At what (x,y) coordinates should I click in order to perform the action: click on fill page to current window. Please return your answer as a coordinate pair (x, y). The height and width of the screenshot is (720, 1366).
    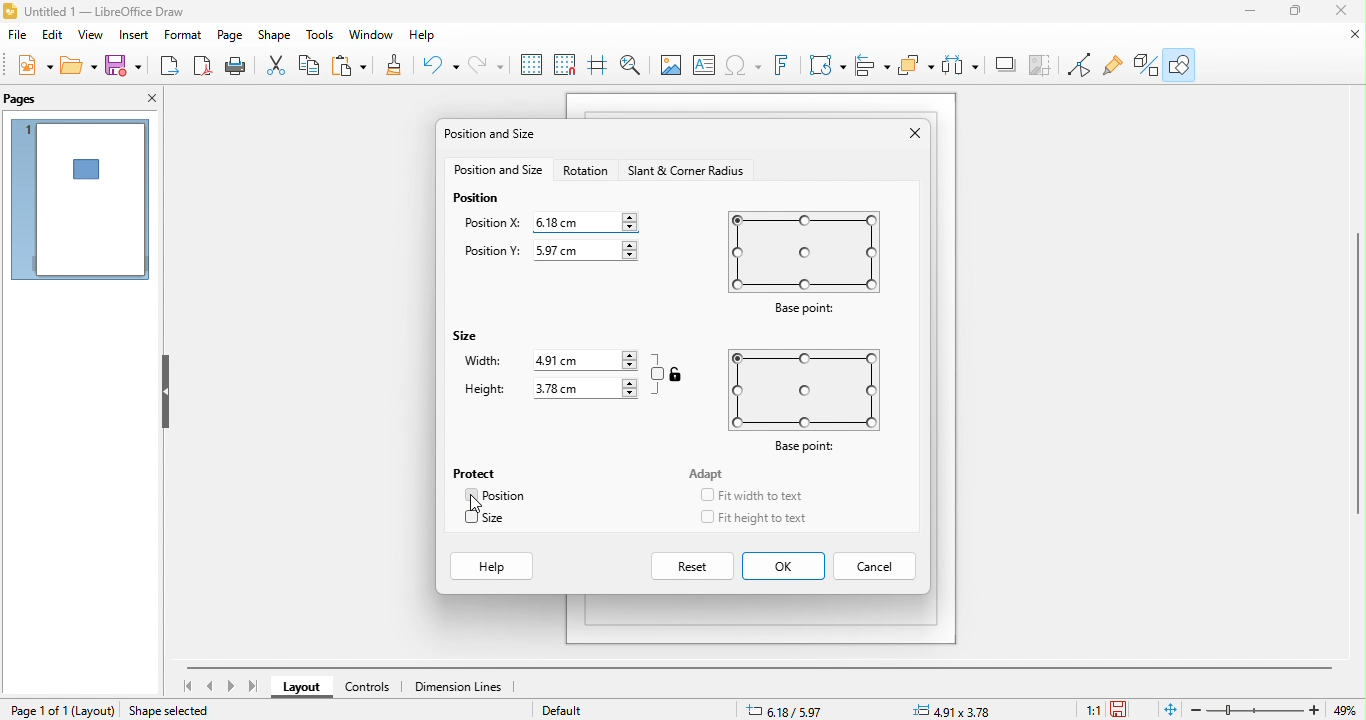
    Looking at the image, I should click on (1167, 709).